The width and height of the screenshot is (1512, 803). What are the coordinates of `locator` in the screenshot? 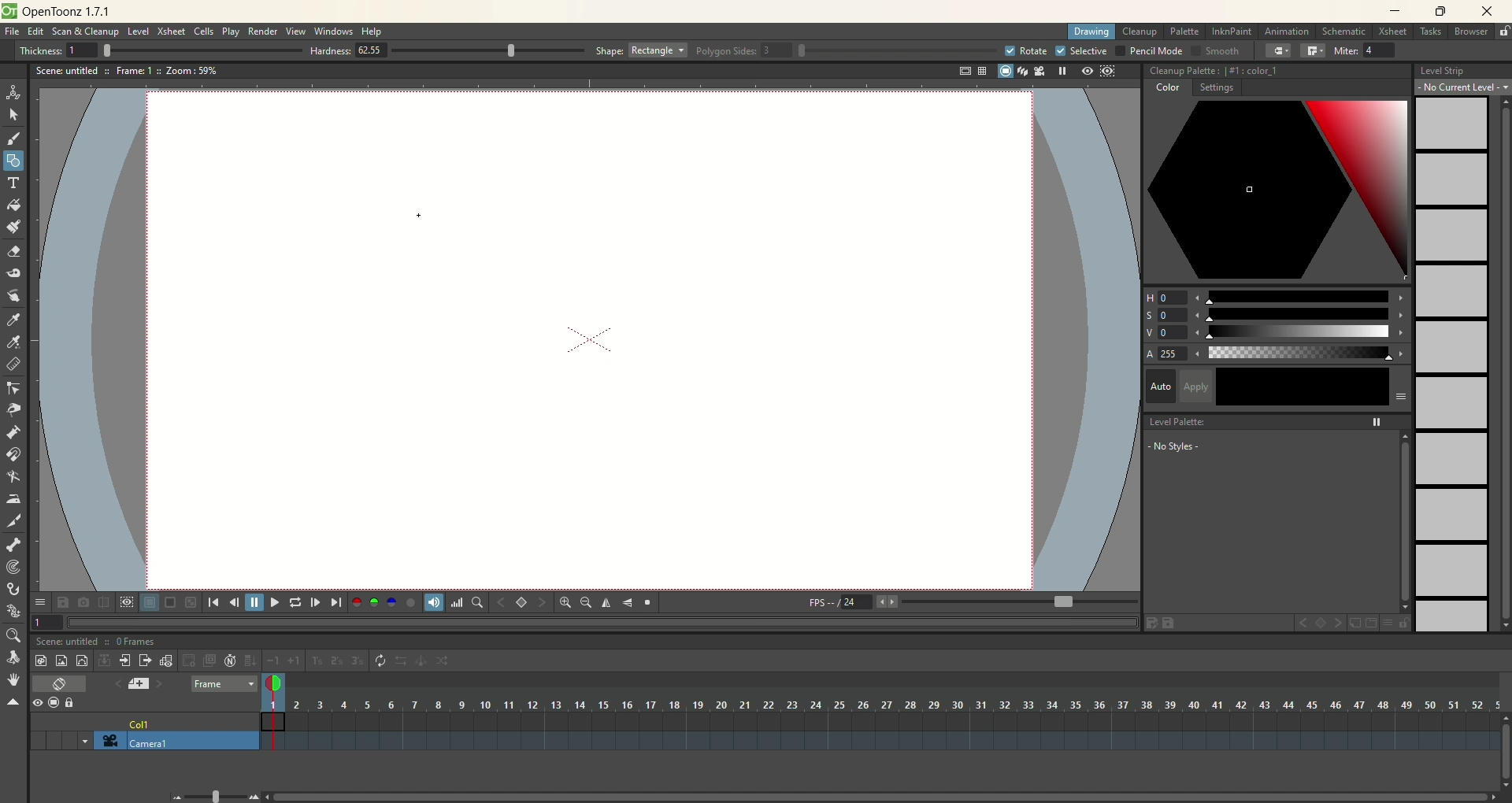 It's located at (476, 602).